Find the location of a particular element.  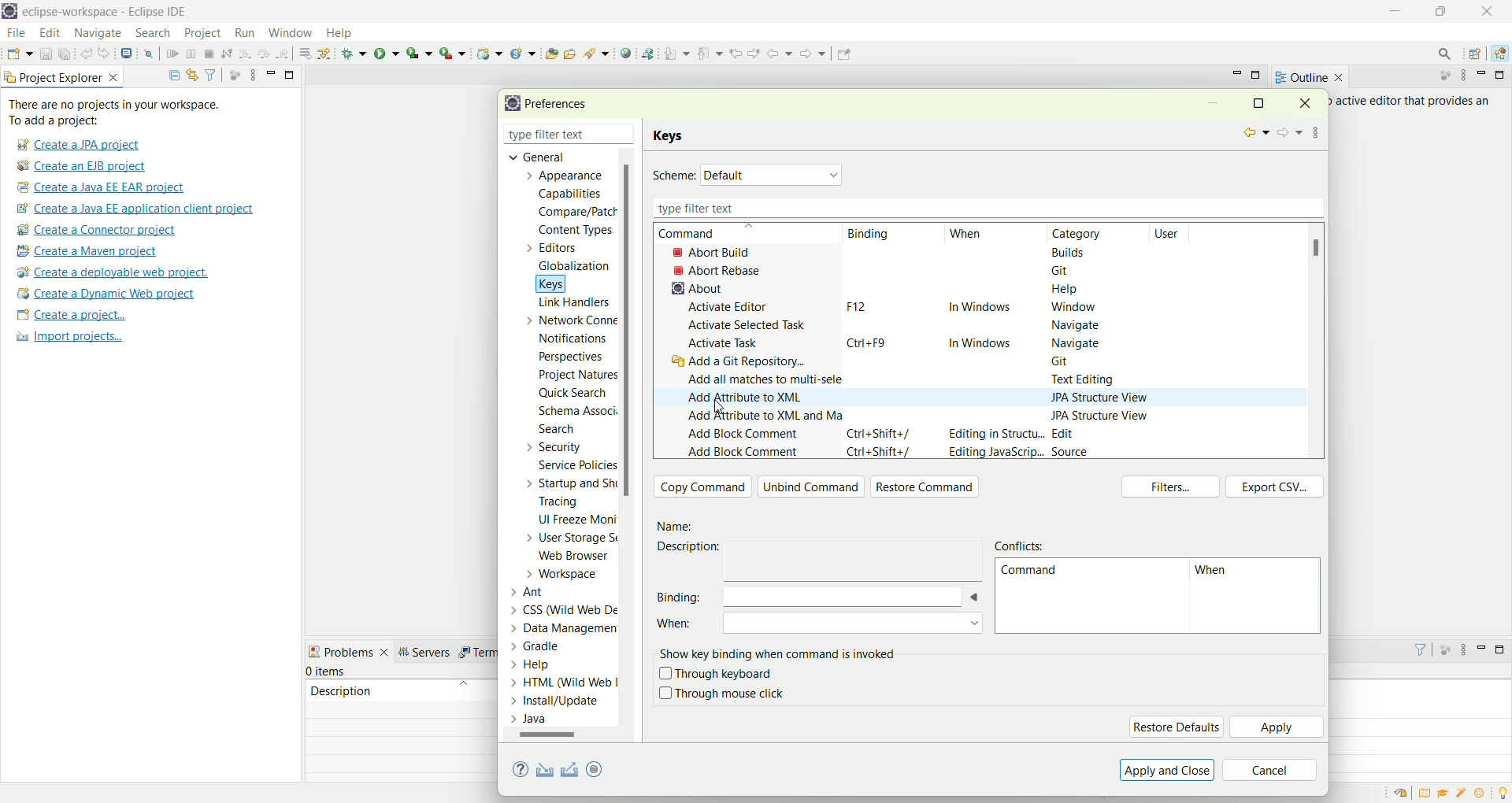

redo is located at coordinates (107, 54).